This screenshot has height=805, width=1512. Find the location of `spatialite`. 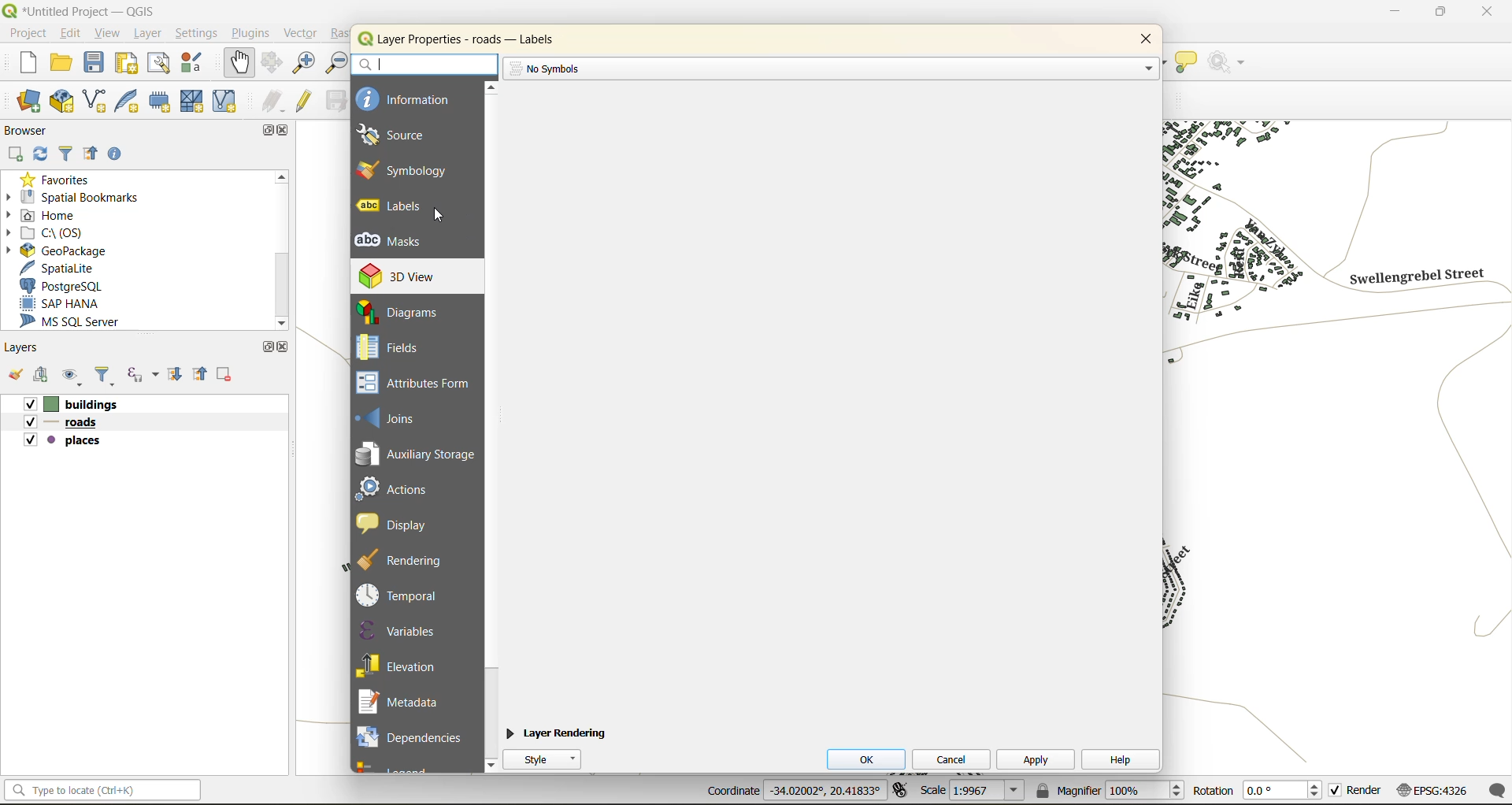

spatialite is located at coordinates (59, 269).